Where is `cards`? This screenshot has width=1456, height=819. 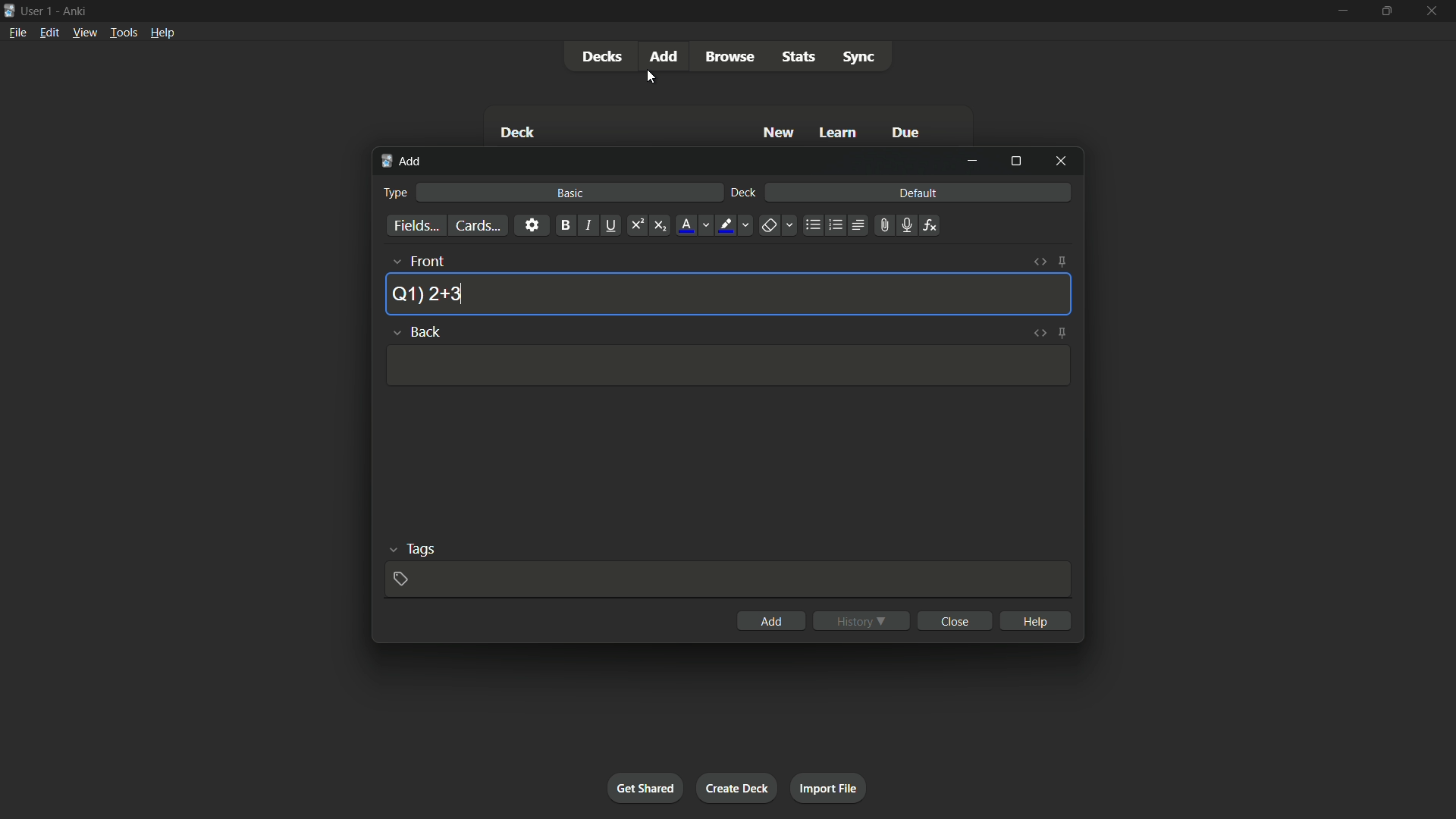 cards is located at coordinates (477, 226).